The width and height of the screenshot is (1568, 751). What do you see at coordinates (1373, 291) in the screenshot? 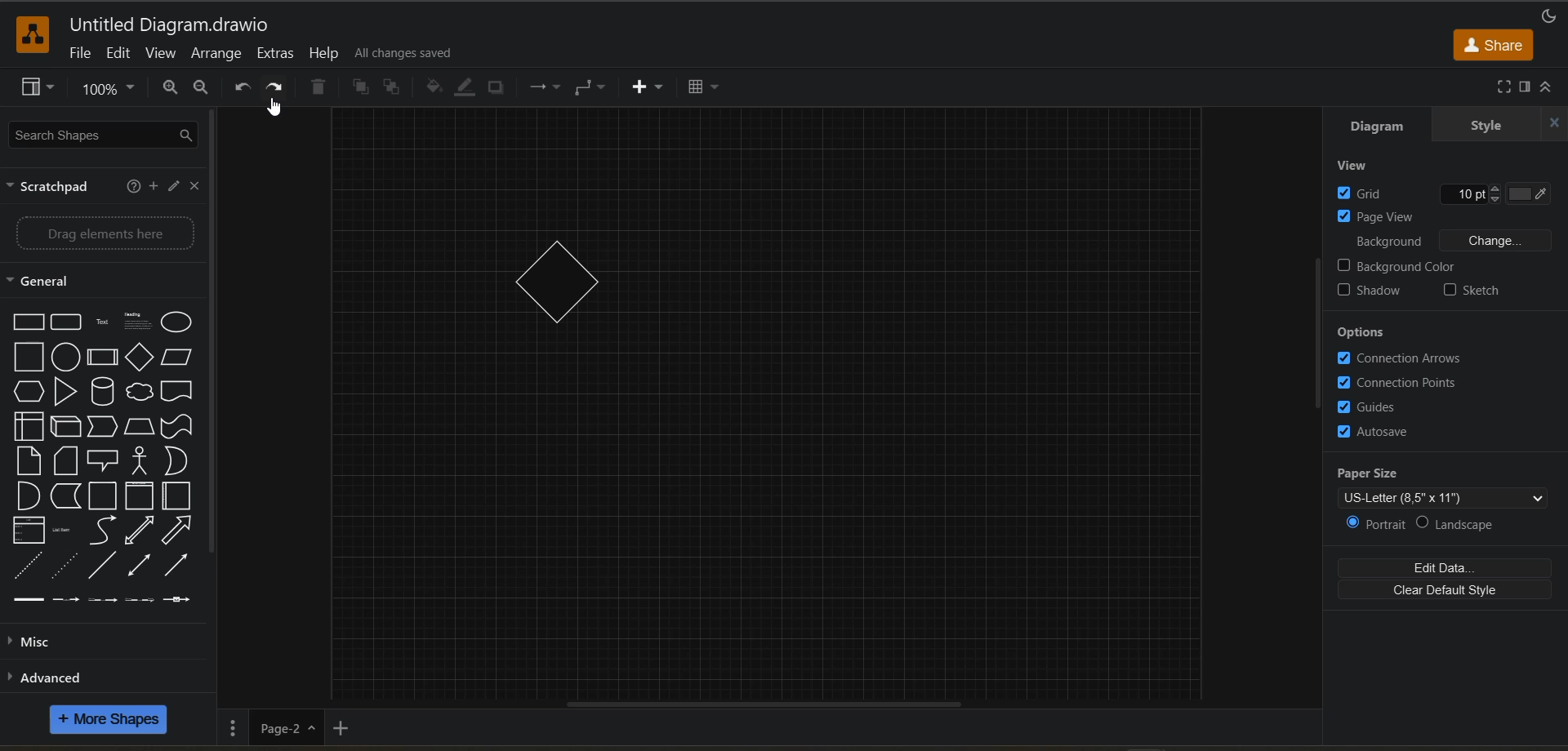
I see `shadow` at bounding box center [1373, 291].